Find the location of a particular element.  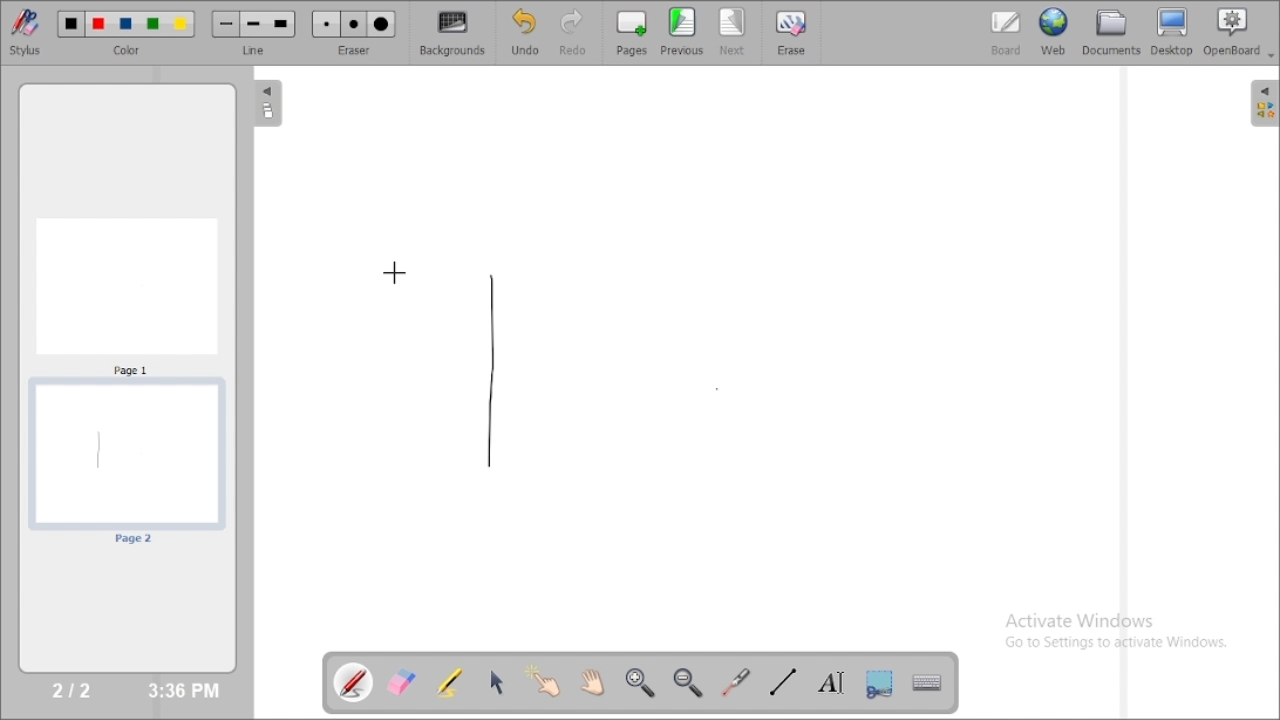

Color 3 is located at coordinates (126, 25).